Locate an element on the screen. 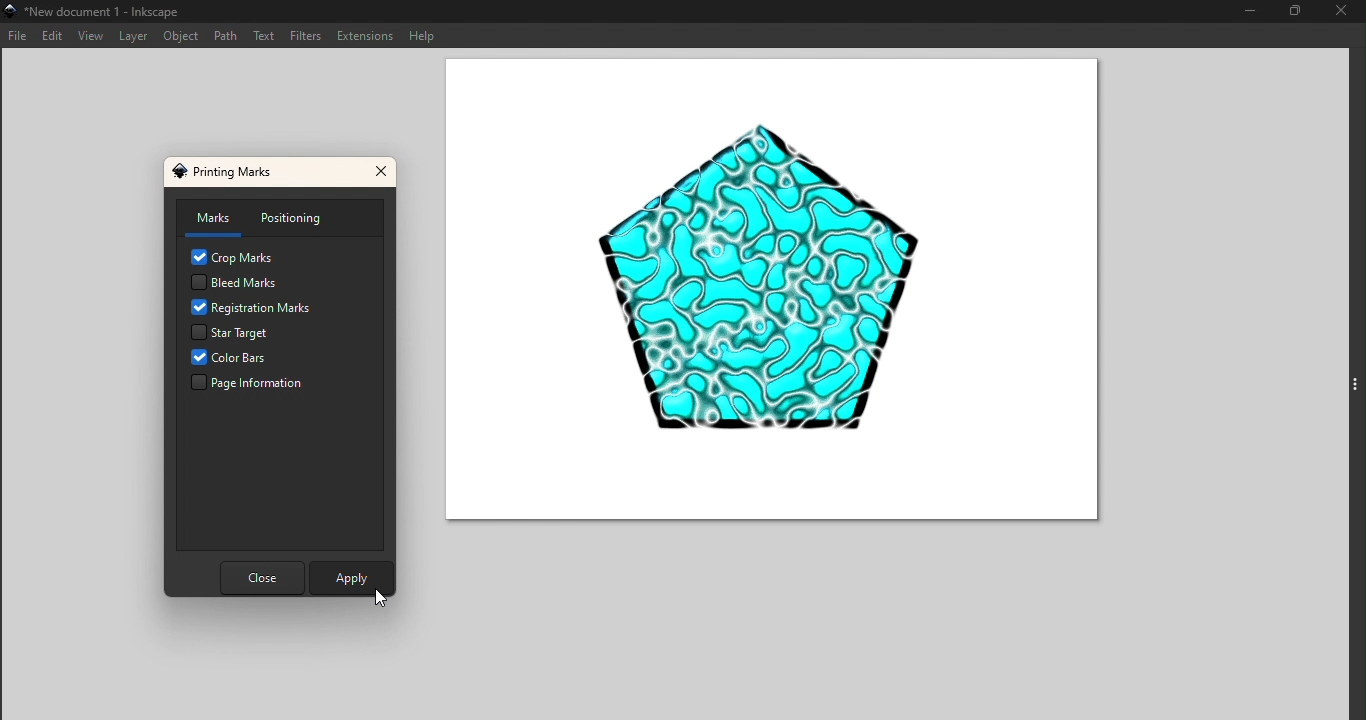 This screenshot has width=1366, height=720. Bleed Marks is located at coordinates (238, 283).